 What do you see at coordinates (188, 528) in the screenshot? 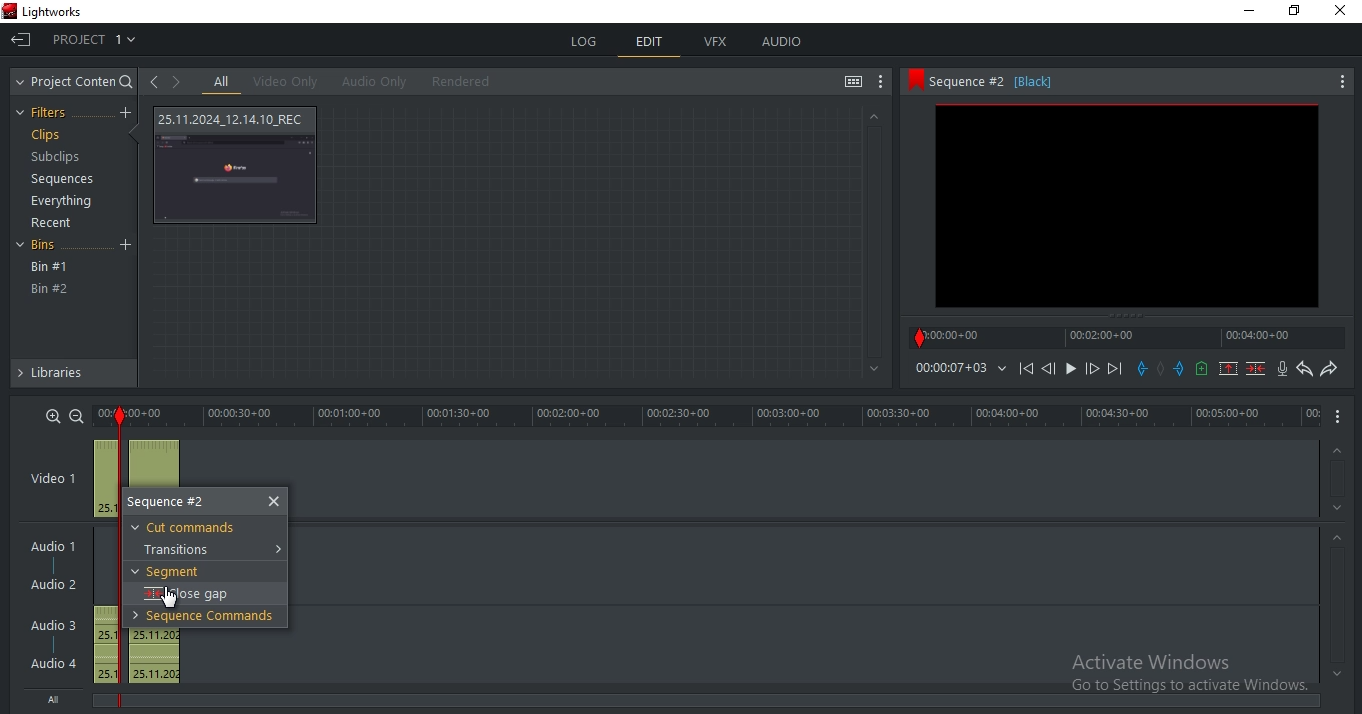
I see `cut commands` at bounding box center [188, 528].